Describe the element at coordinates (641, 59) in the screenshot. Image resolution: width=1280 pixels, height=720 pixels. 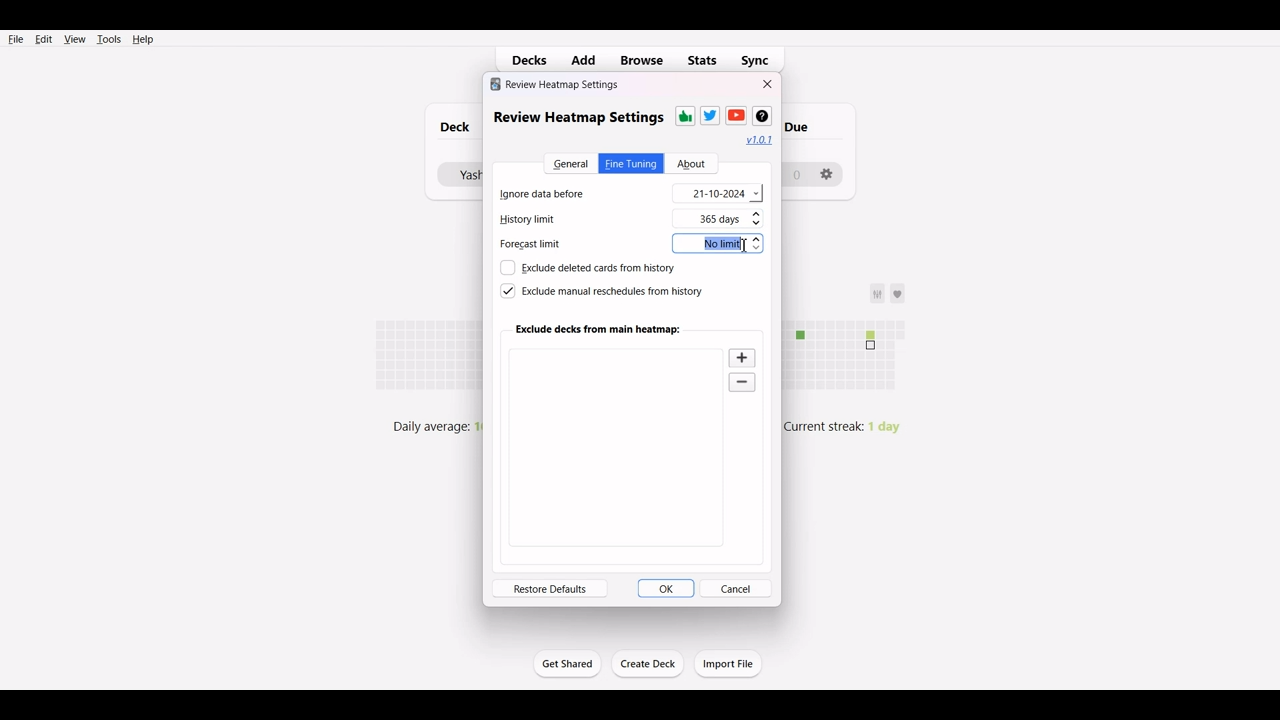
I see `Browse` at that location.